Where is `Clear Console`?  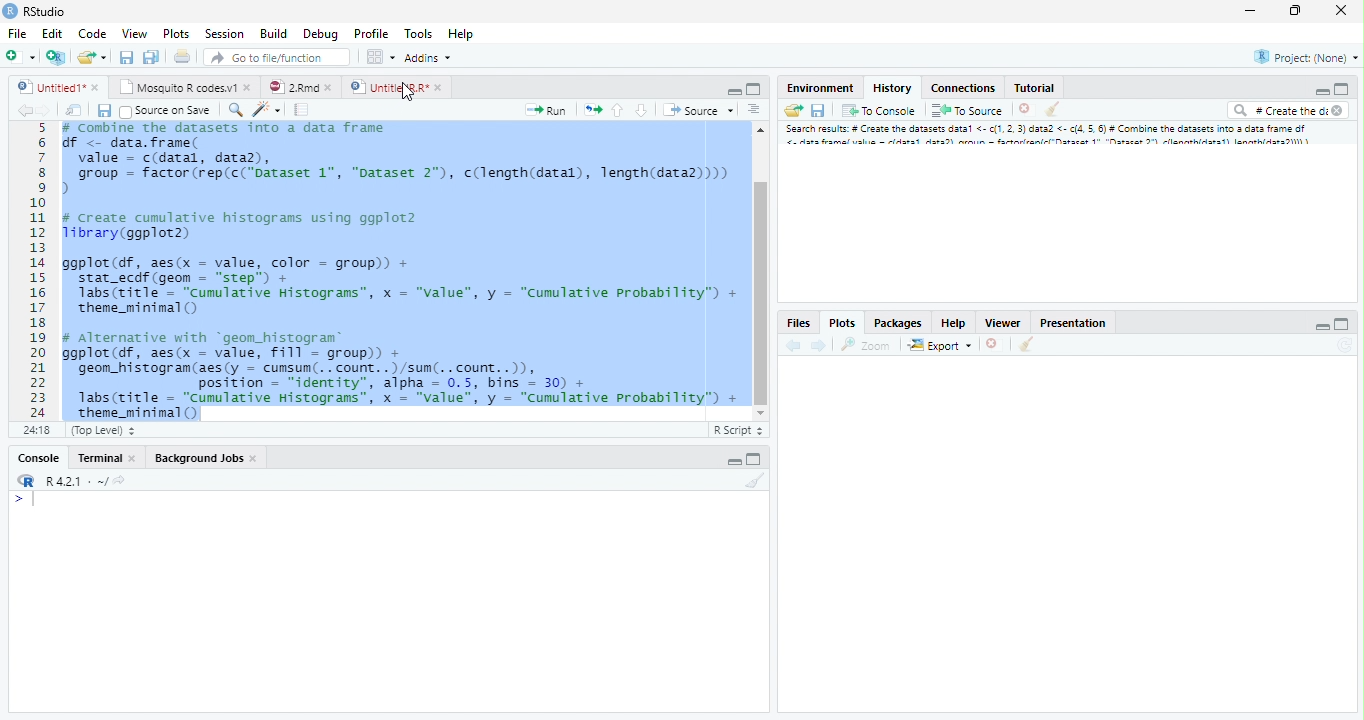
Clear Console is located at coordinates (760, 483).